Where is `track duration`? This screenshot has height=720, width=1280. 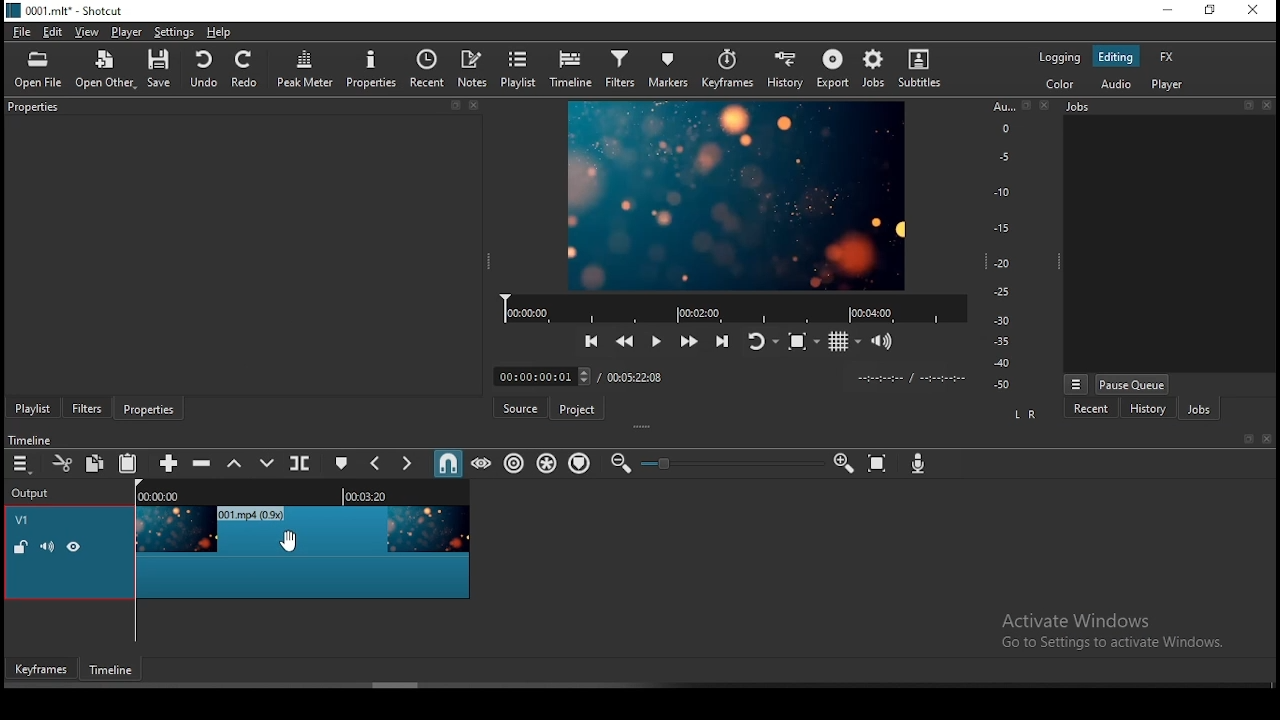 track duration is located at coordinates (635, 379).